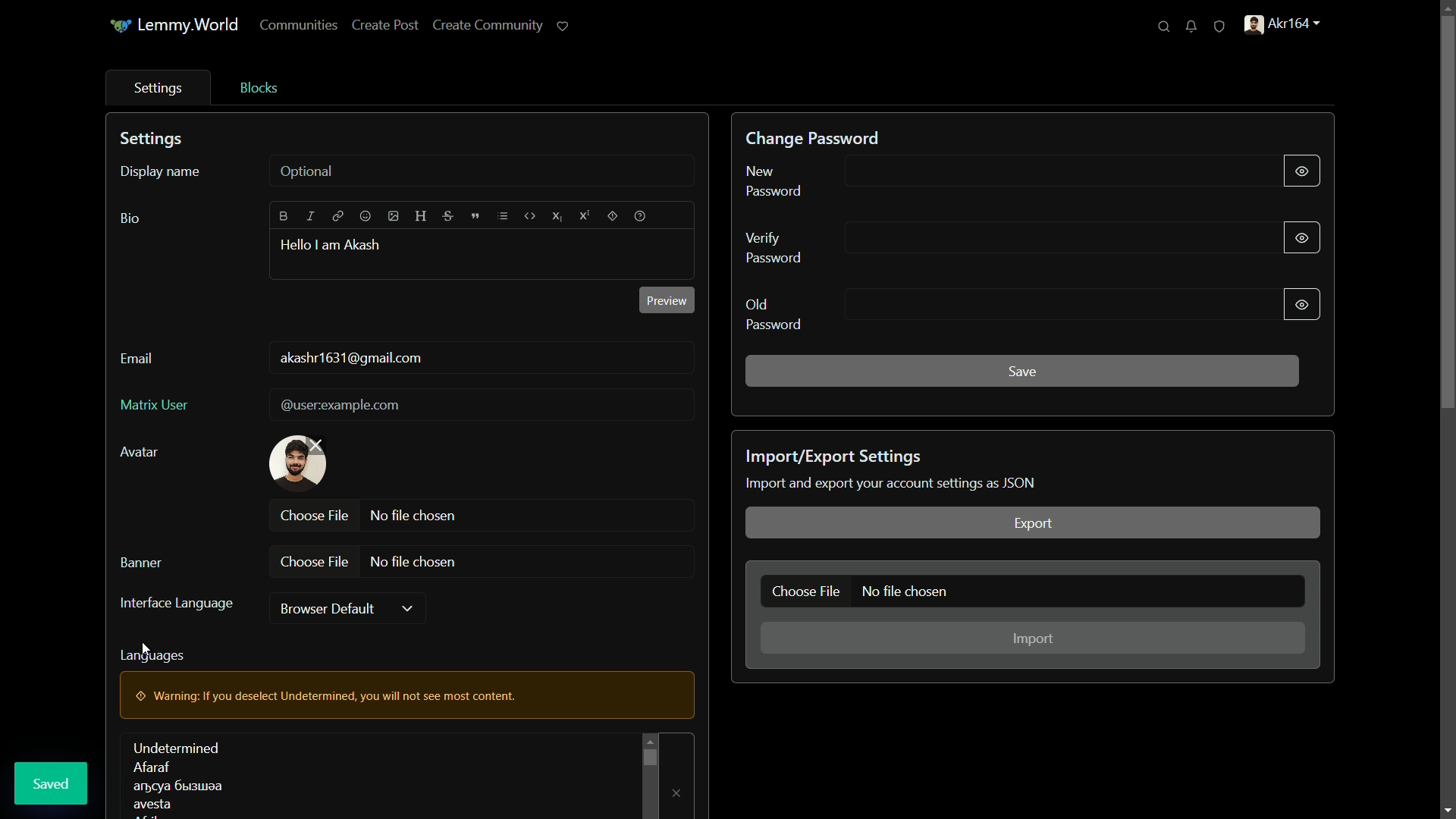 The width and height of the screenshot is (1456, 819). I want to click on scroll bar, so click(650, 756).